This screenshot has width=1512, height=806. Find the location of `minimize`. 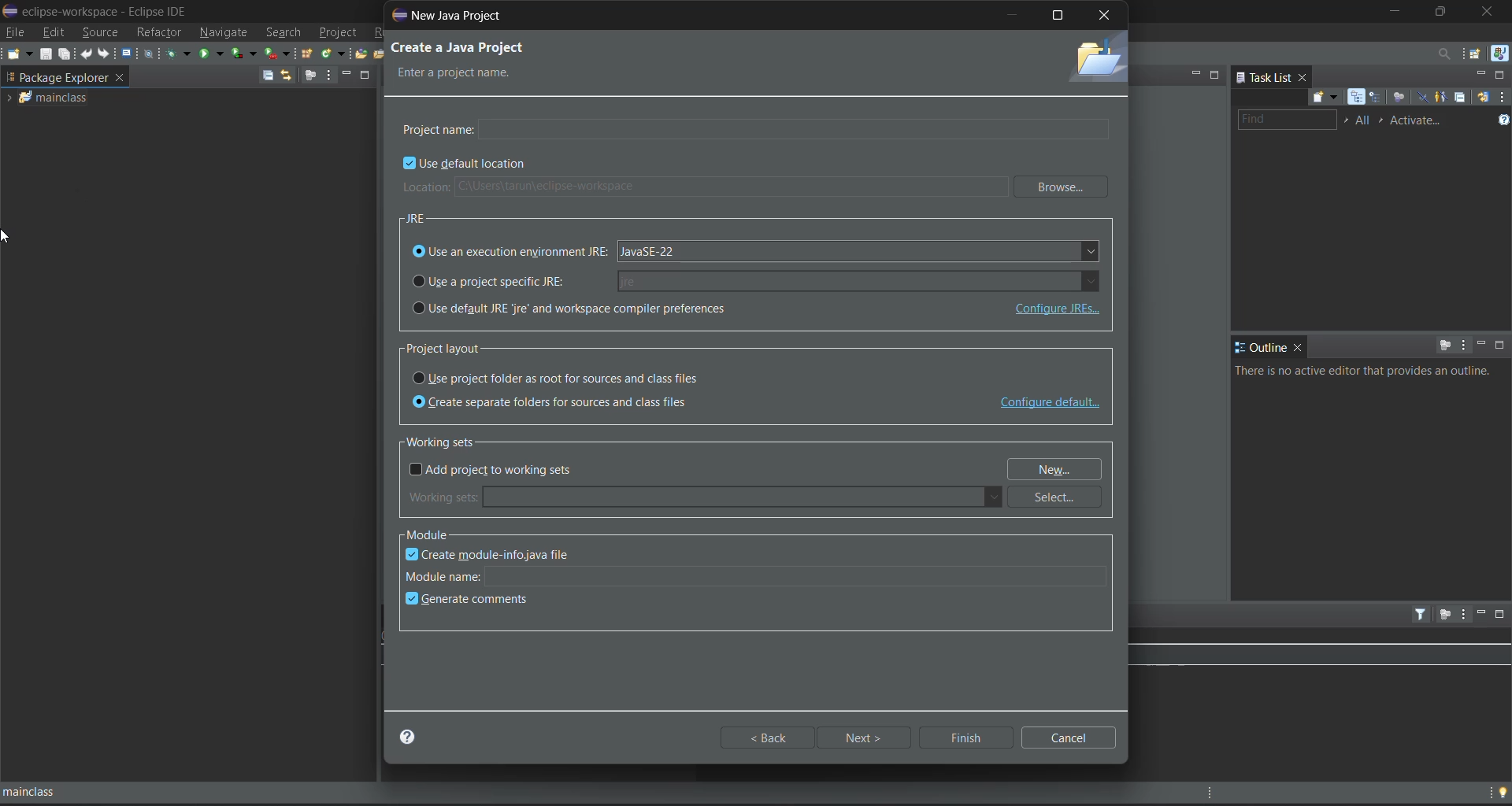

minimize is located at coordinates (348, 72).